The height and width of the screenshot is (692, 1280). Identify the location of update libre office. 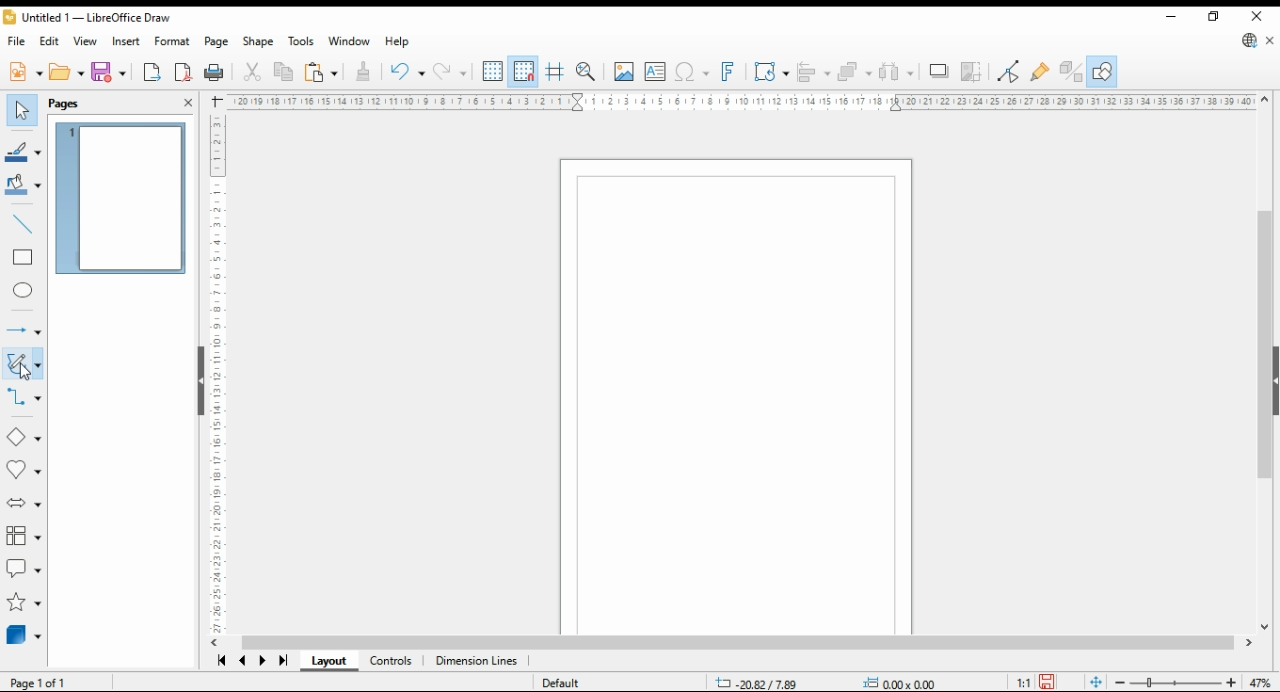
(1248, 40).